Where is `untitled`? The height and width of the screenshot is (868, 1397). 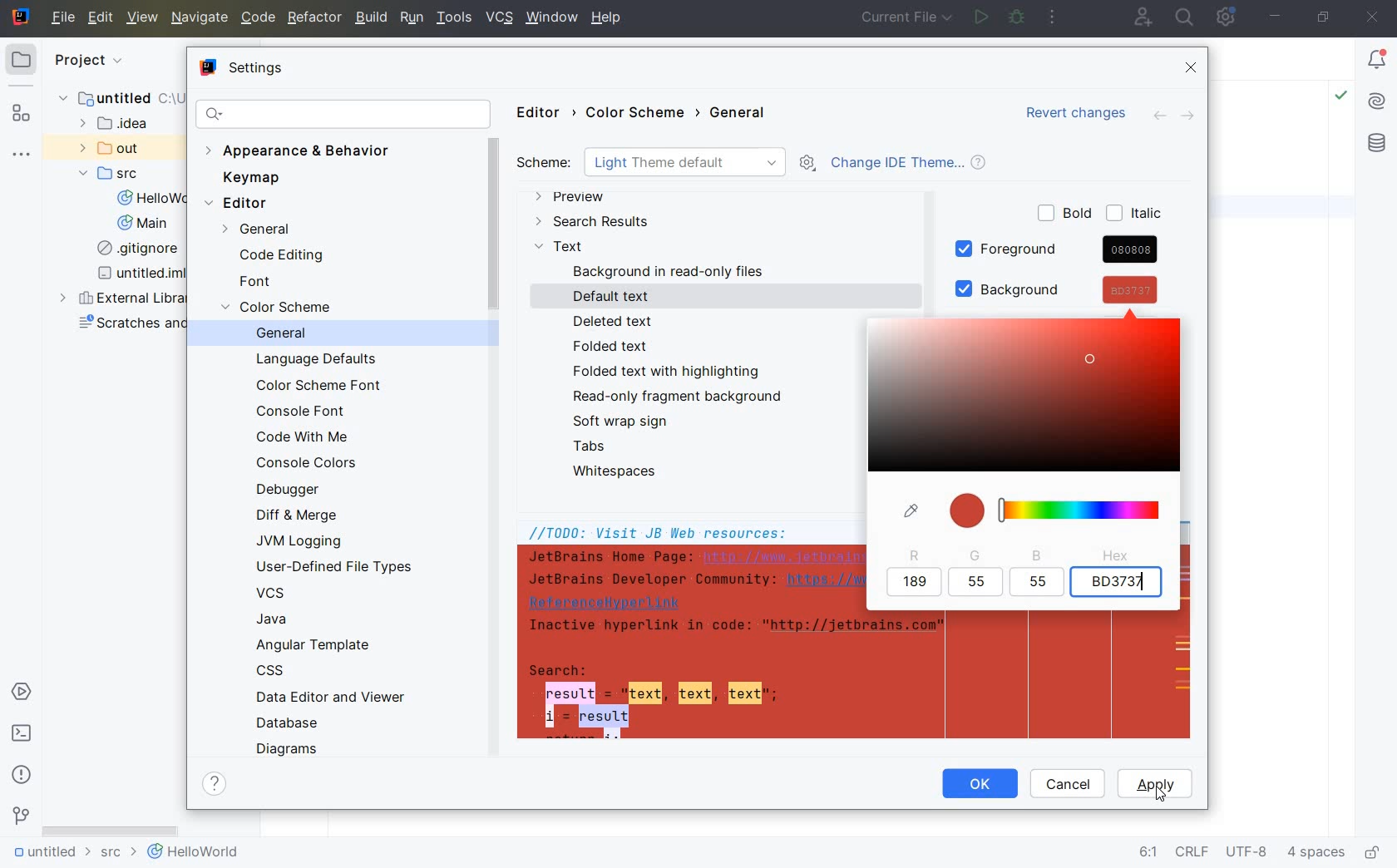 untitled is located at coordinates (48, 855).